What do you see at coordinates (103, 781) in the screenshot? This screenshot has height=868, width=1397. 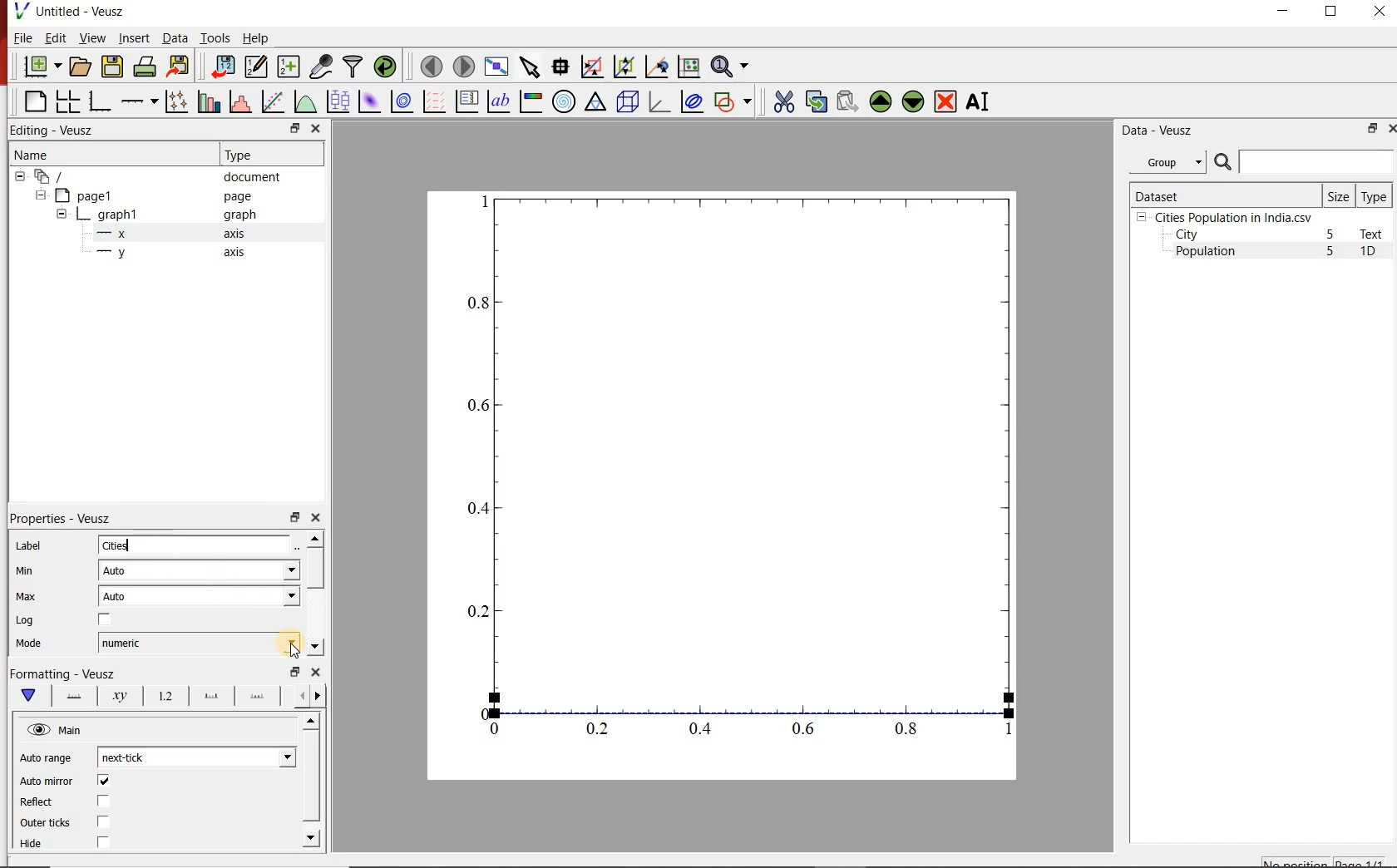 I see `check/uncheck` at bounding box center [103, 781].